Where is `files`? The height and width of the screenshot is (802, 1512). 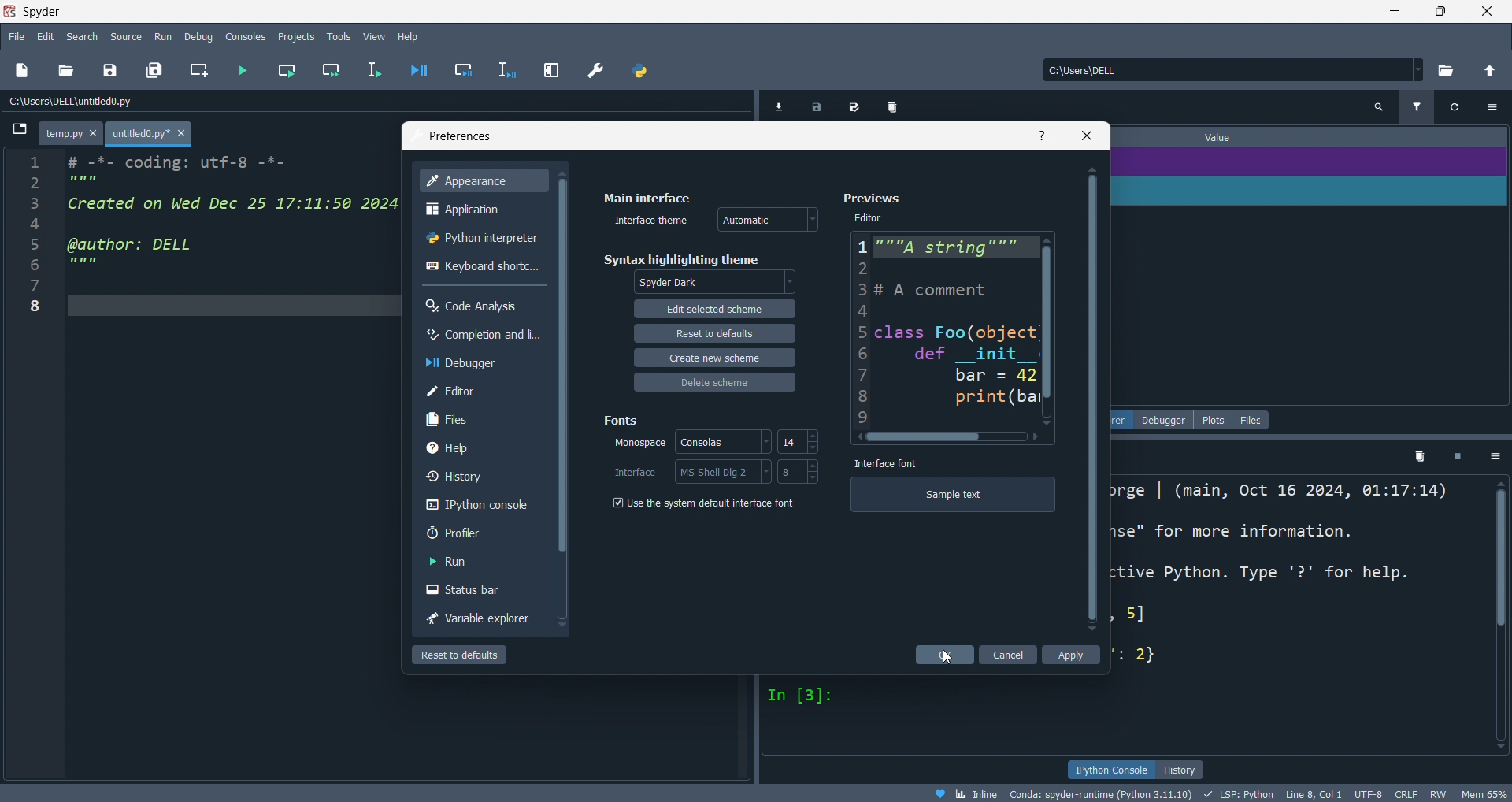
files is located at coordinates (483, 419).